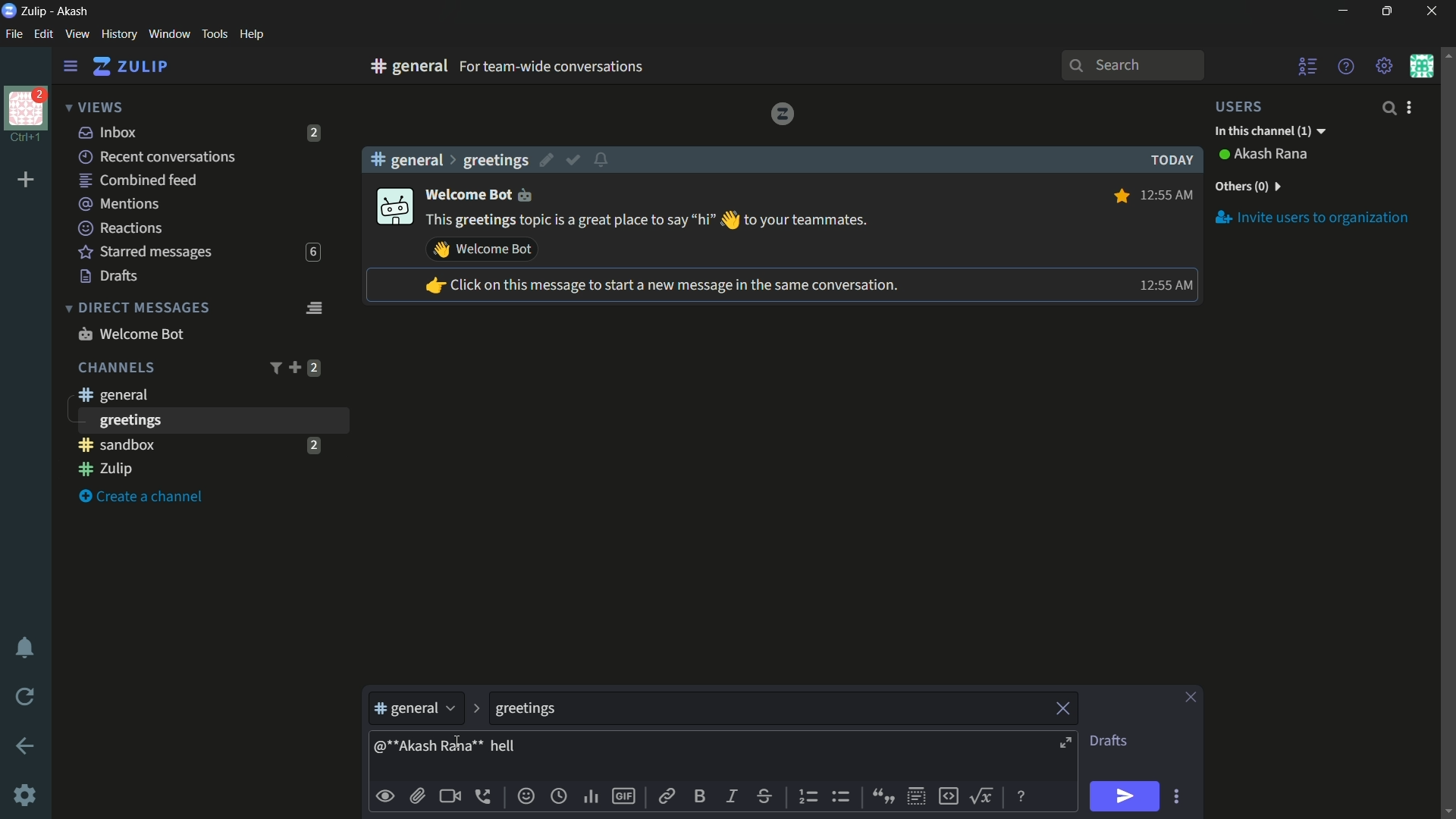 This screenshot has height=819, width=1456. What do you see at coordinates (430, 749) in the screenshot?
I see `mentioned someone` at bounding box center [430, 749].